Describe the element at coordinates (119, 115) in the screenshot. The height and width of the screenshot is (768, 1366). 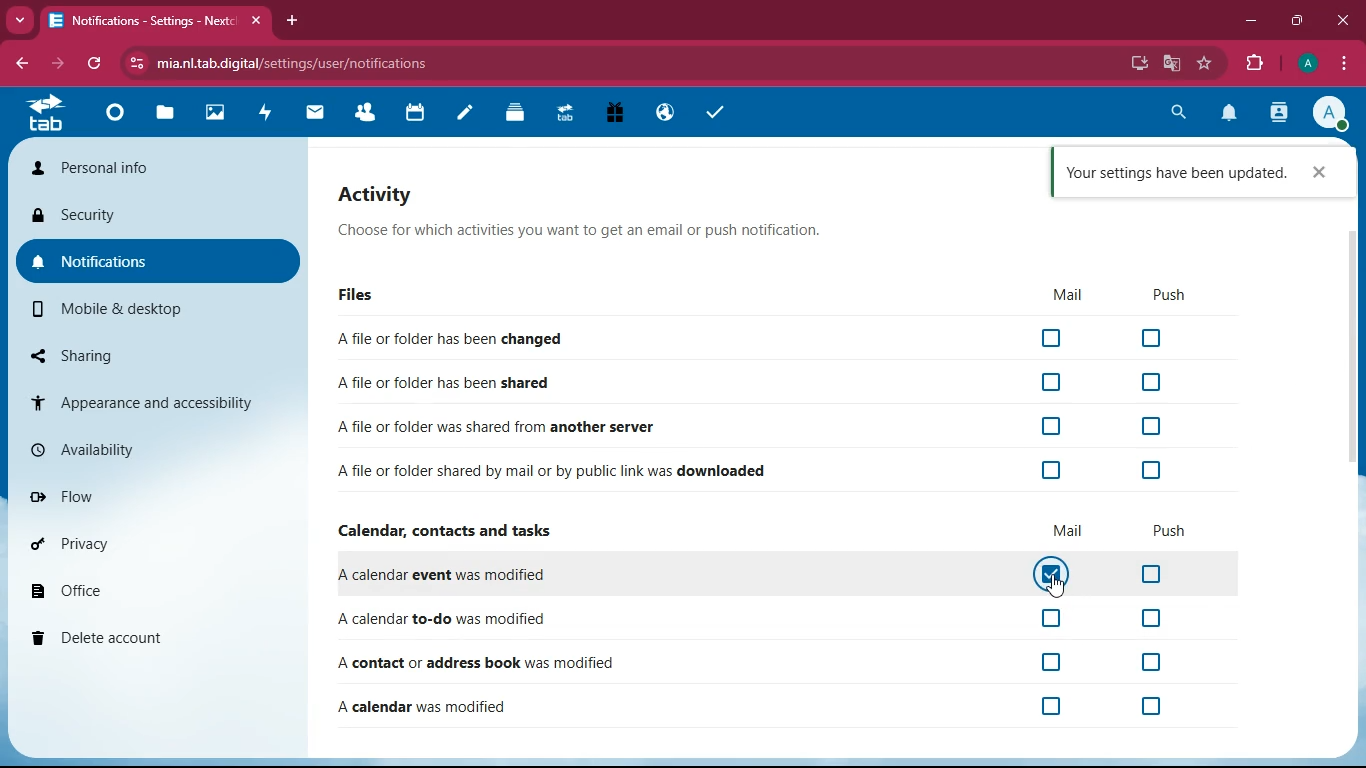
I see `Dashboard` at that location.